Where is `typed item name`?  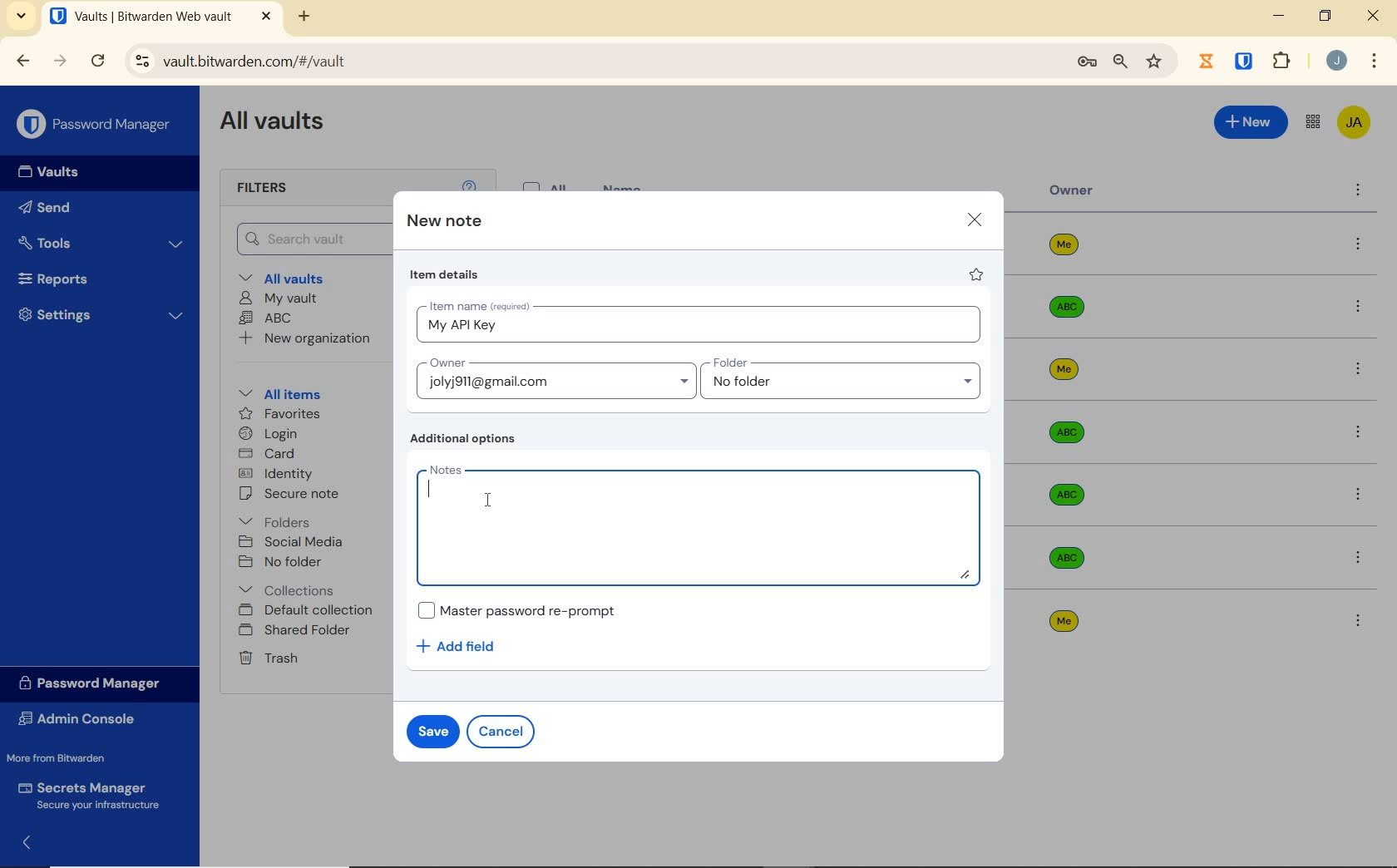 typed item name is located at coordinates (462, 326).